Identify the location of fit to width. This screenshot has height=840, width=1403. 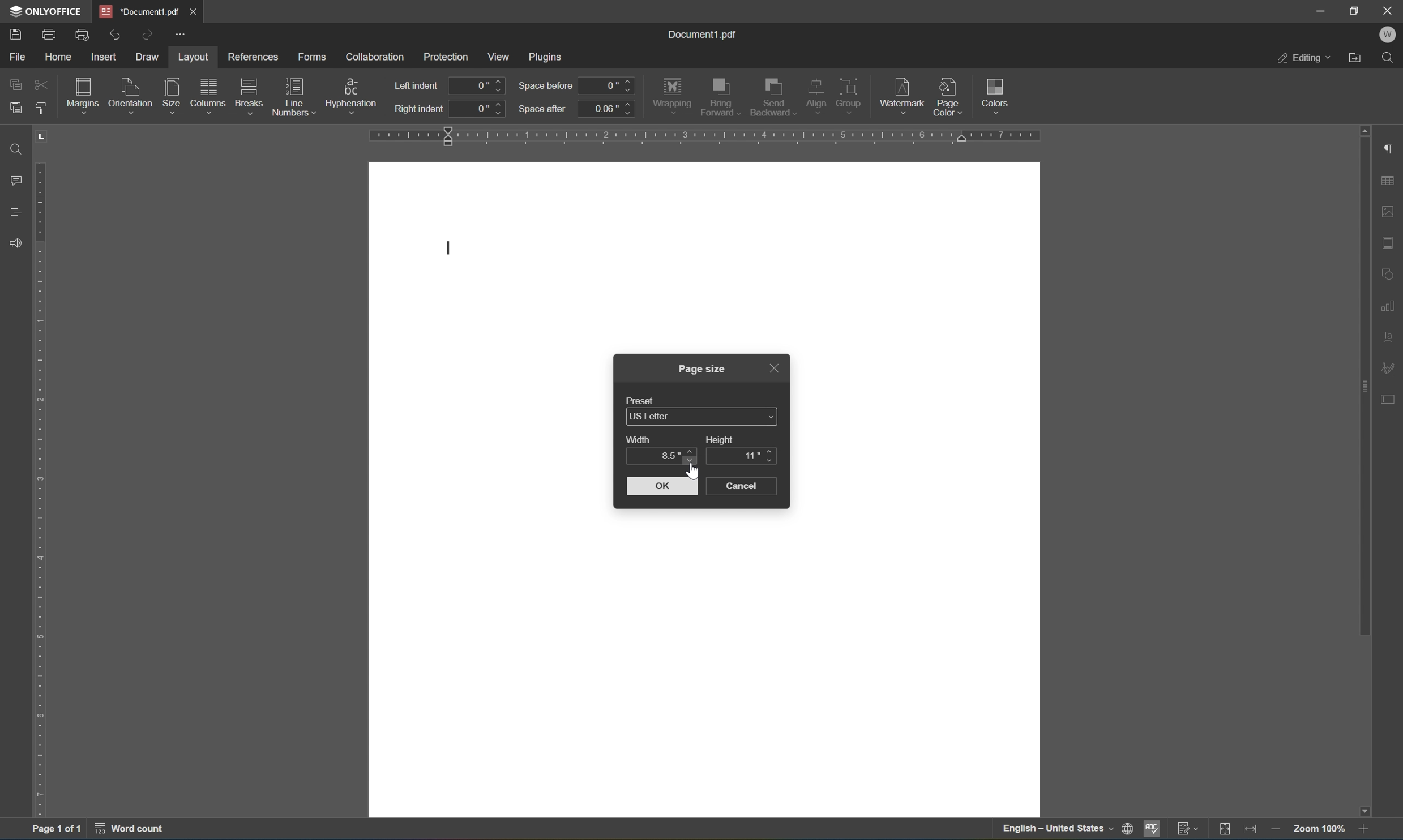
(1254, 830).